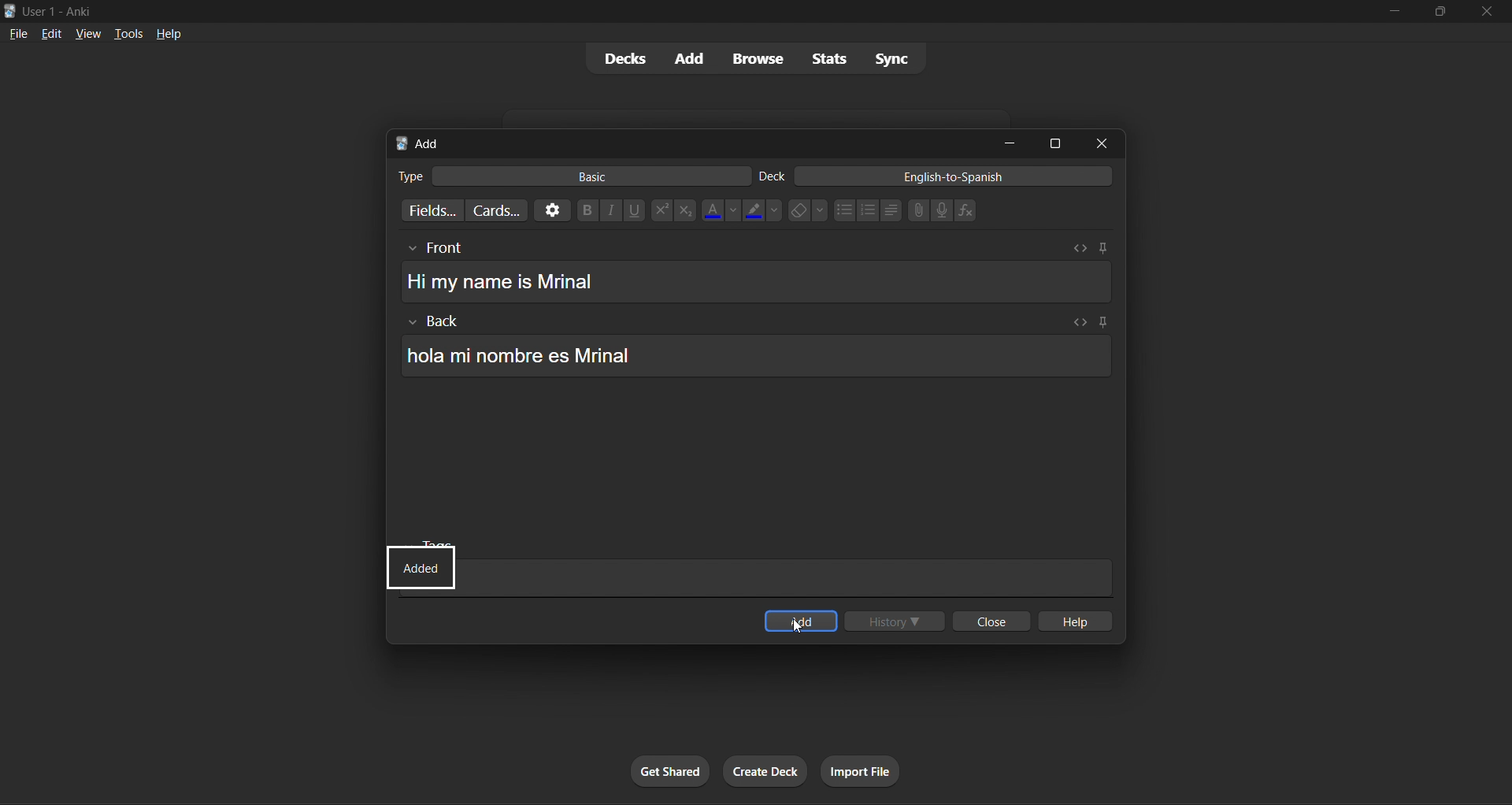 The width and height of the screenshot is (1512, 805). I want to click on customize fields, so click(431, 210).